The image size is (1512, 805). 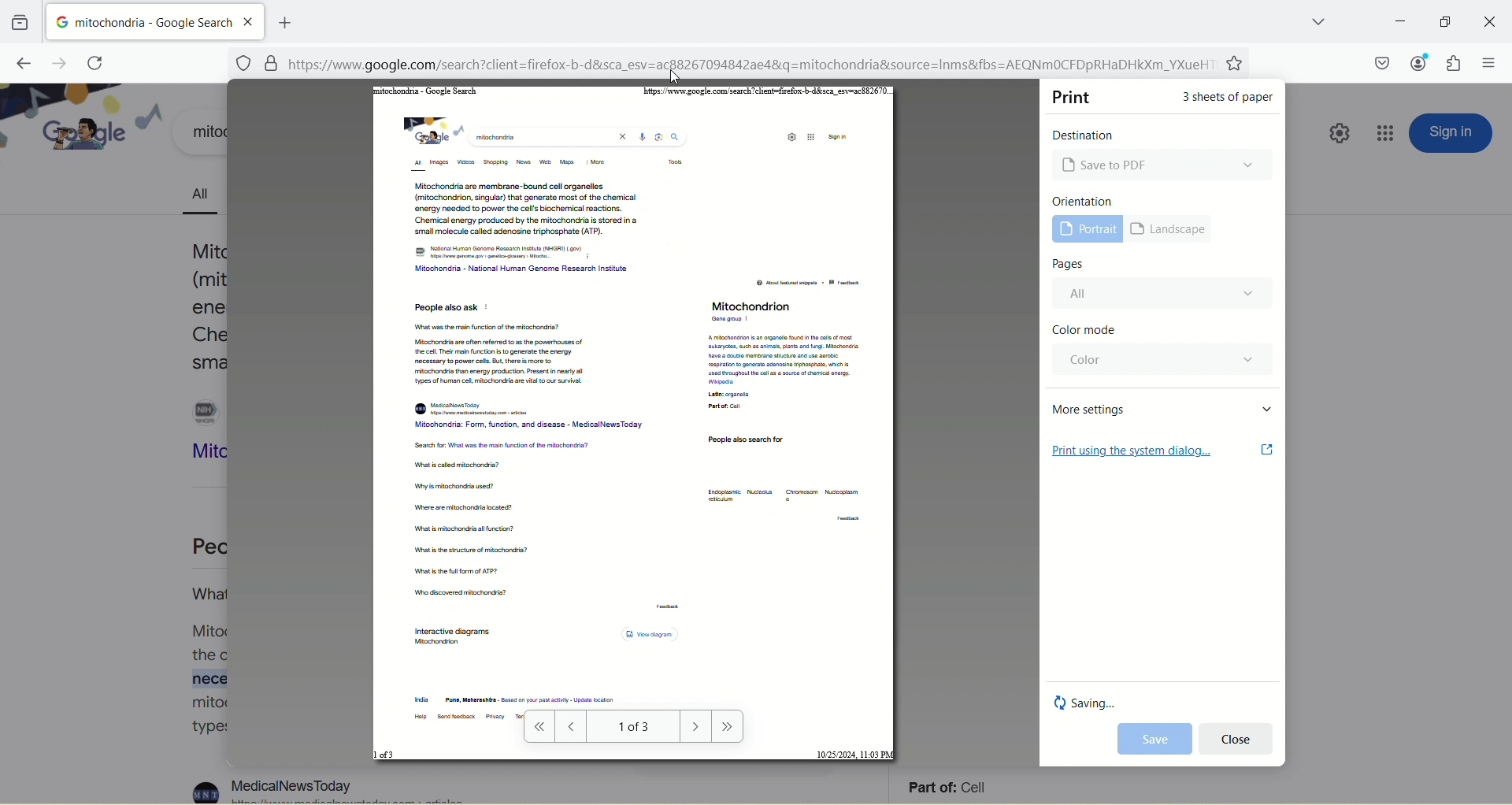 What do you see at coordinates (1443, 22) in the screenshot?
I see `maximize` at bounding box center [1443, 22].